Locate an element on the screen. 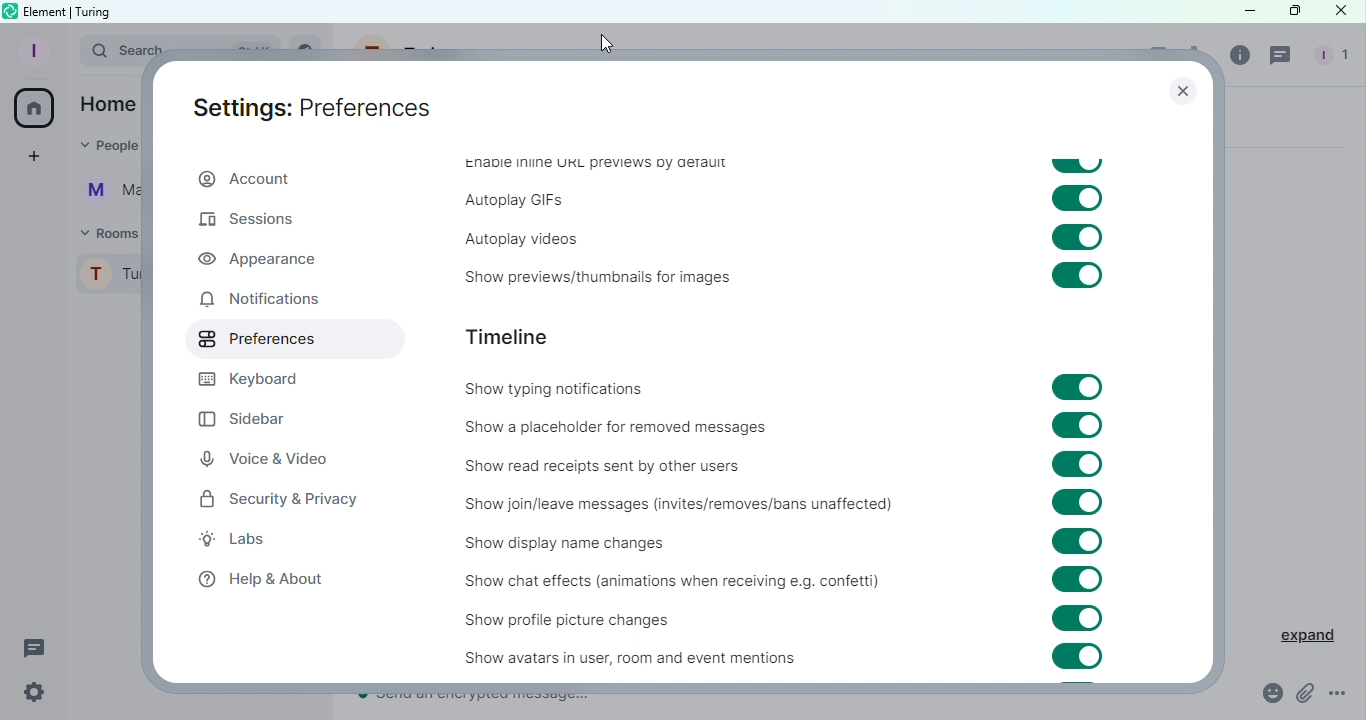  Threads is located at coordinates (1283, 58).